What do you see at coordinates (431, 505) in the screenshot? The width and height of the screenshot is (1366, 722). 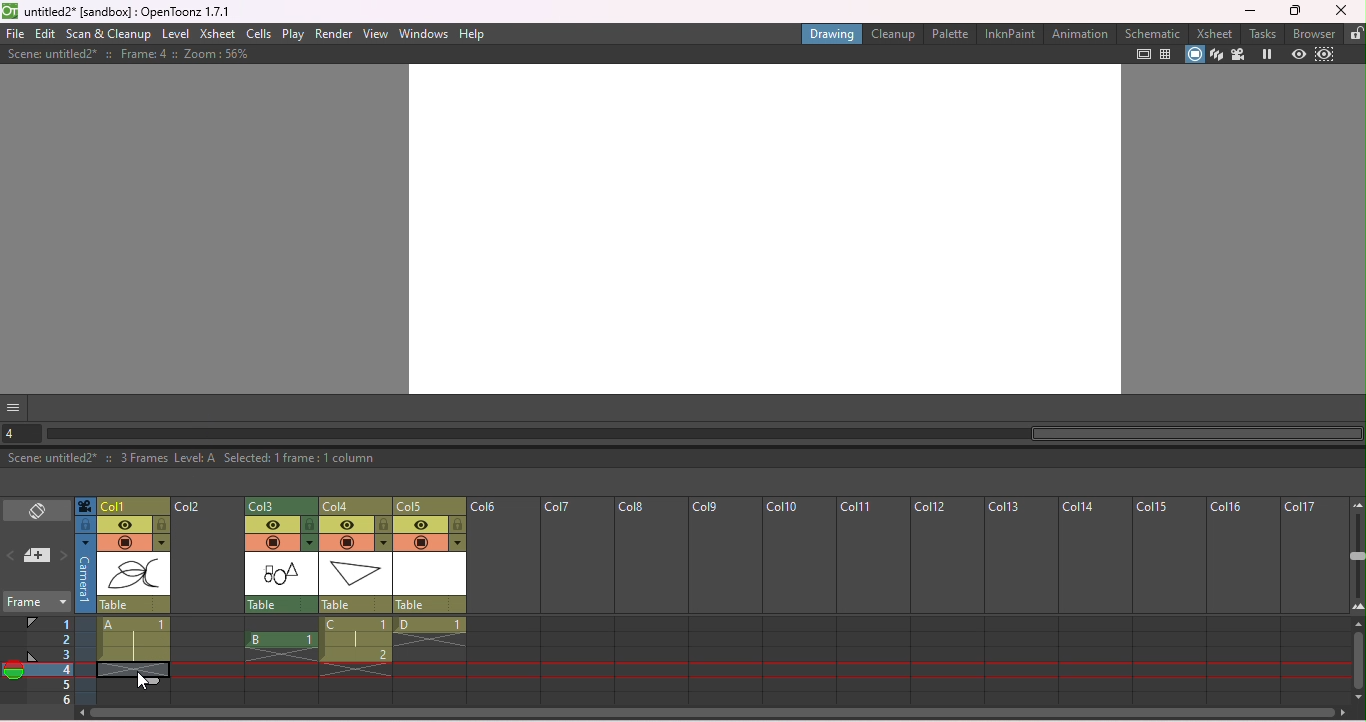 I see `Column 5` at bounding box center [431, 505].